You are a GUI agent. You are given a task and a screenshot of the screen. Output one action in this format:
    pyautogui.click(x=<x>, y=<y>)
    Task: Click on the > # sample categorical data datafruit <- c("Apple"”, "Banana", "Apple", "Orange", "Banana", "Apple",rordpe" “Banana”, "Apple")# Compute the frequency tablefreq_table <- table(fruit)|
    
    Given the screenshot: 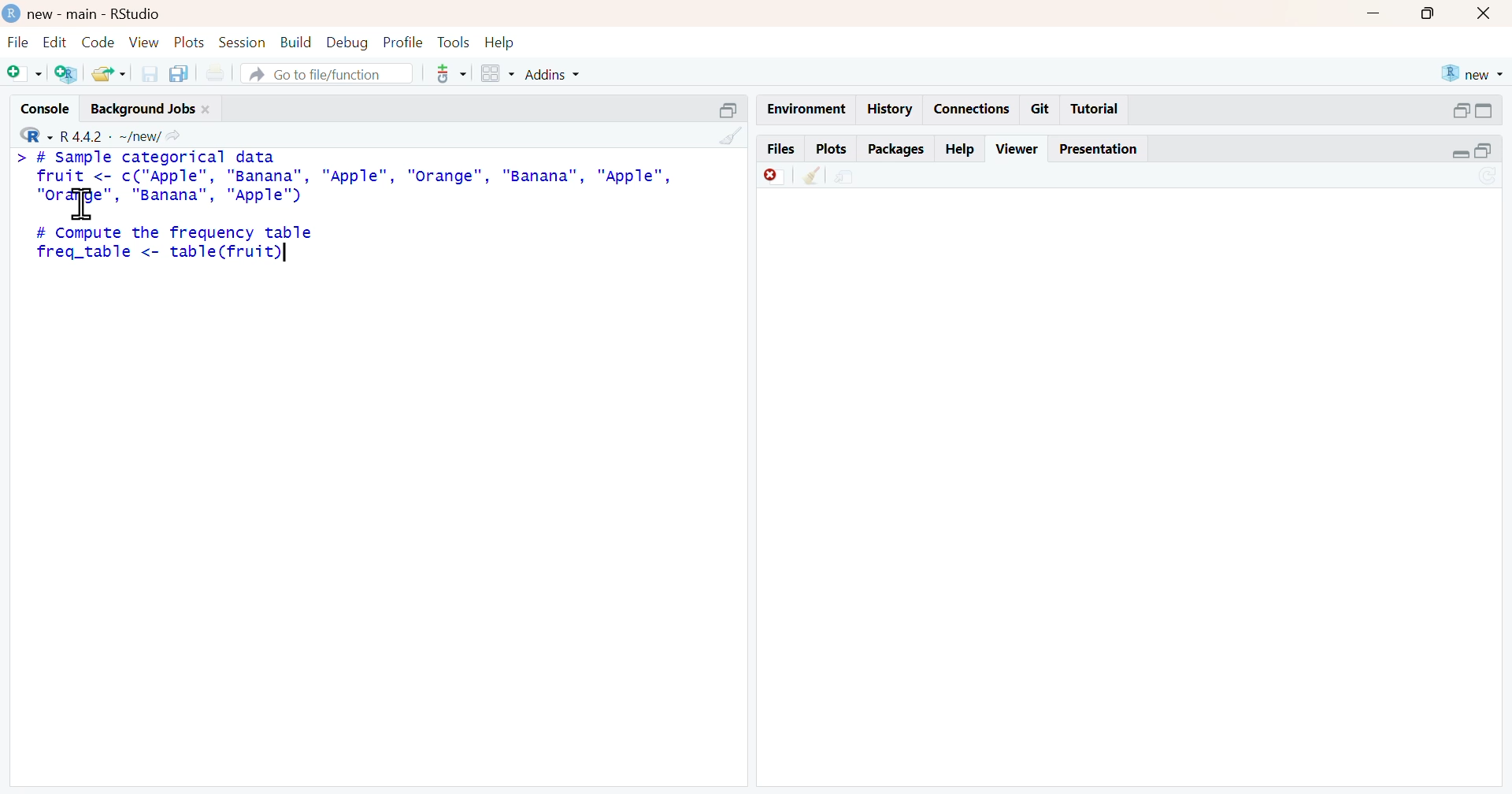 What is the action you would take?
    pyautogui.click(x=349, y=211)
    